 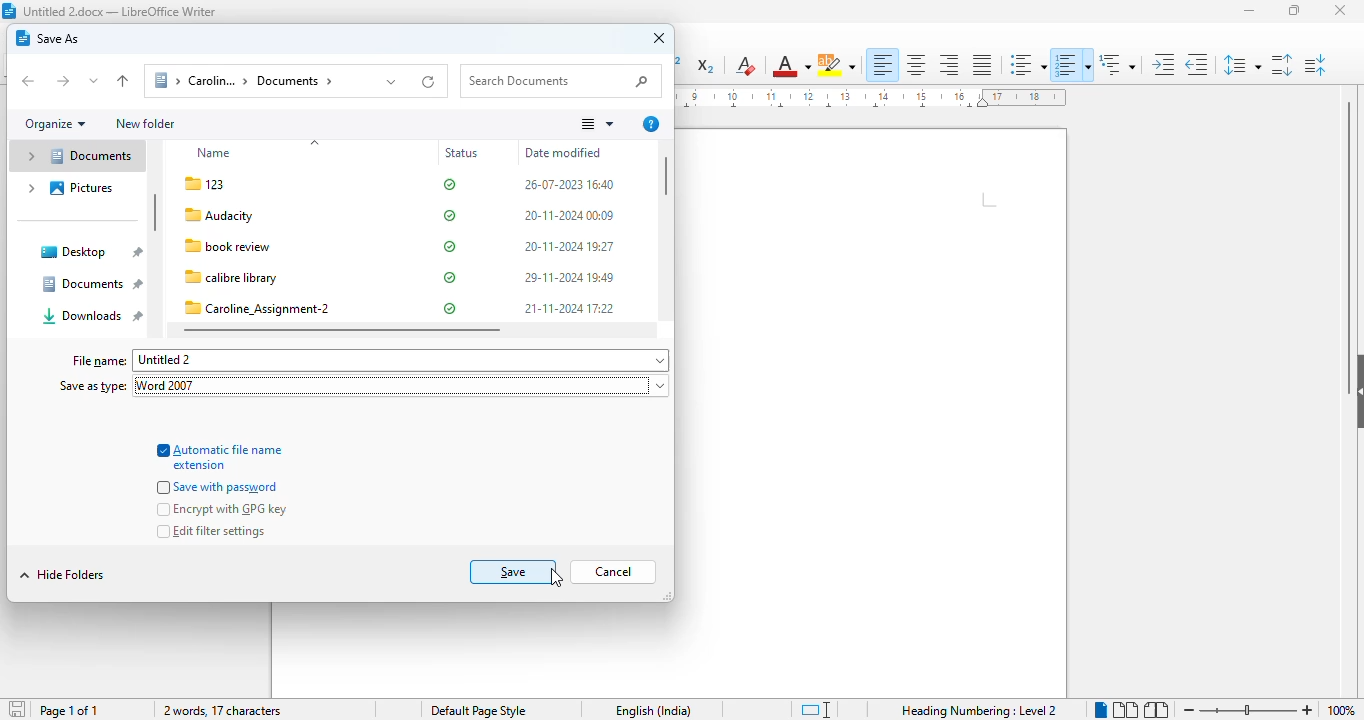 I want to click on clear direct formatting, so click(x=745, y=66).